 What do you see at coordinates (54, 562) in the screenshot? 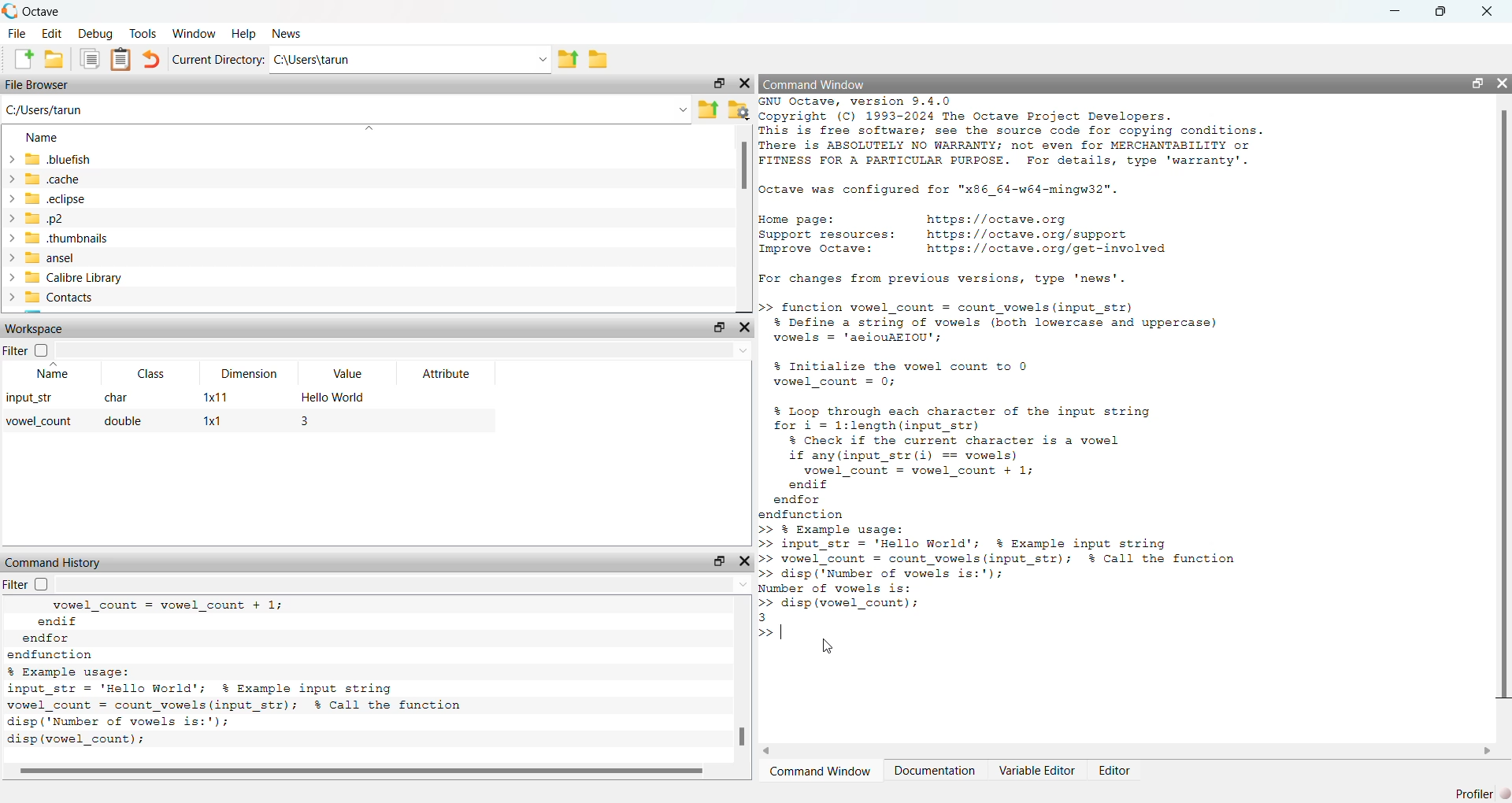
I see `Command History` at bounding box center [54, 562].